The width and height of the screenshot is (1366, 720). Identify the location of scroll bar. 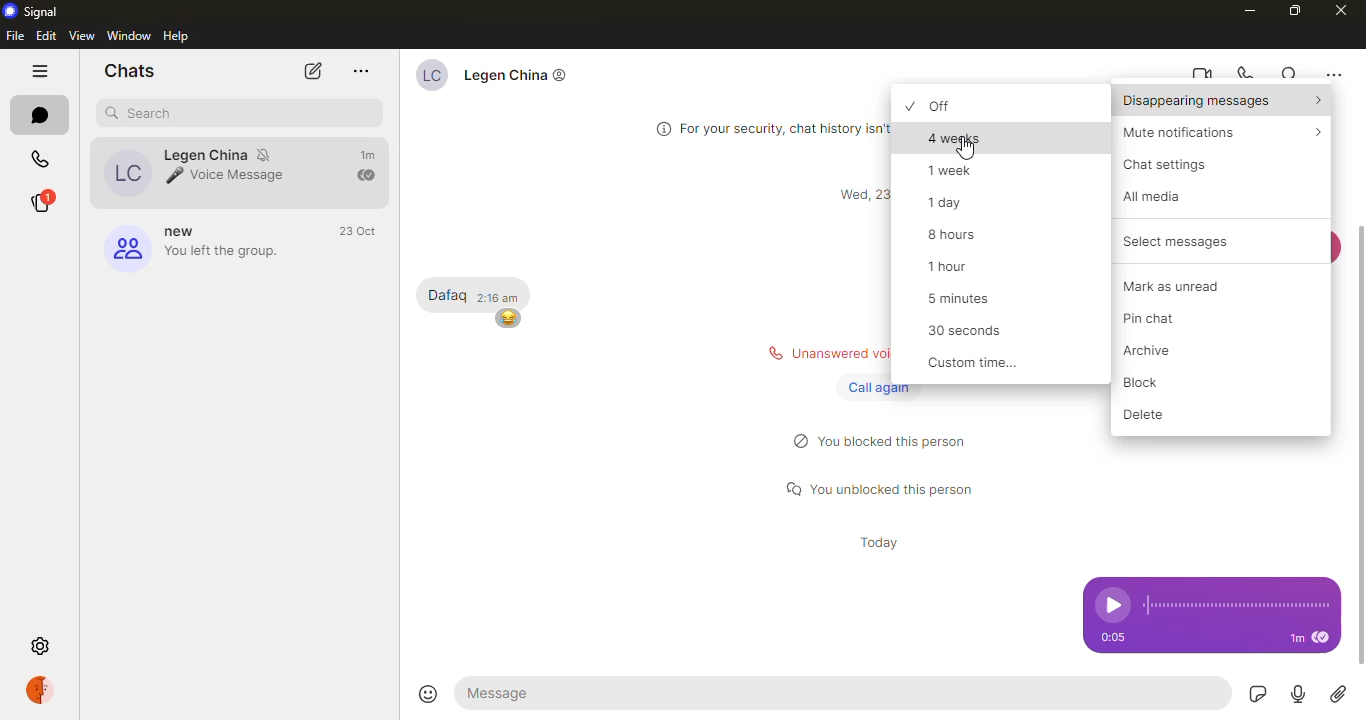
(1365, 445).